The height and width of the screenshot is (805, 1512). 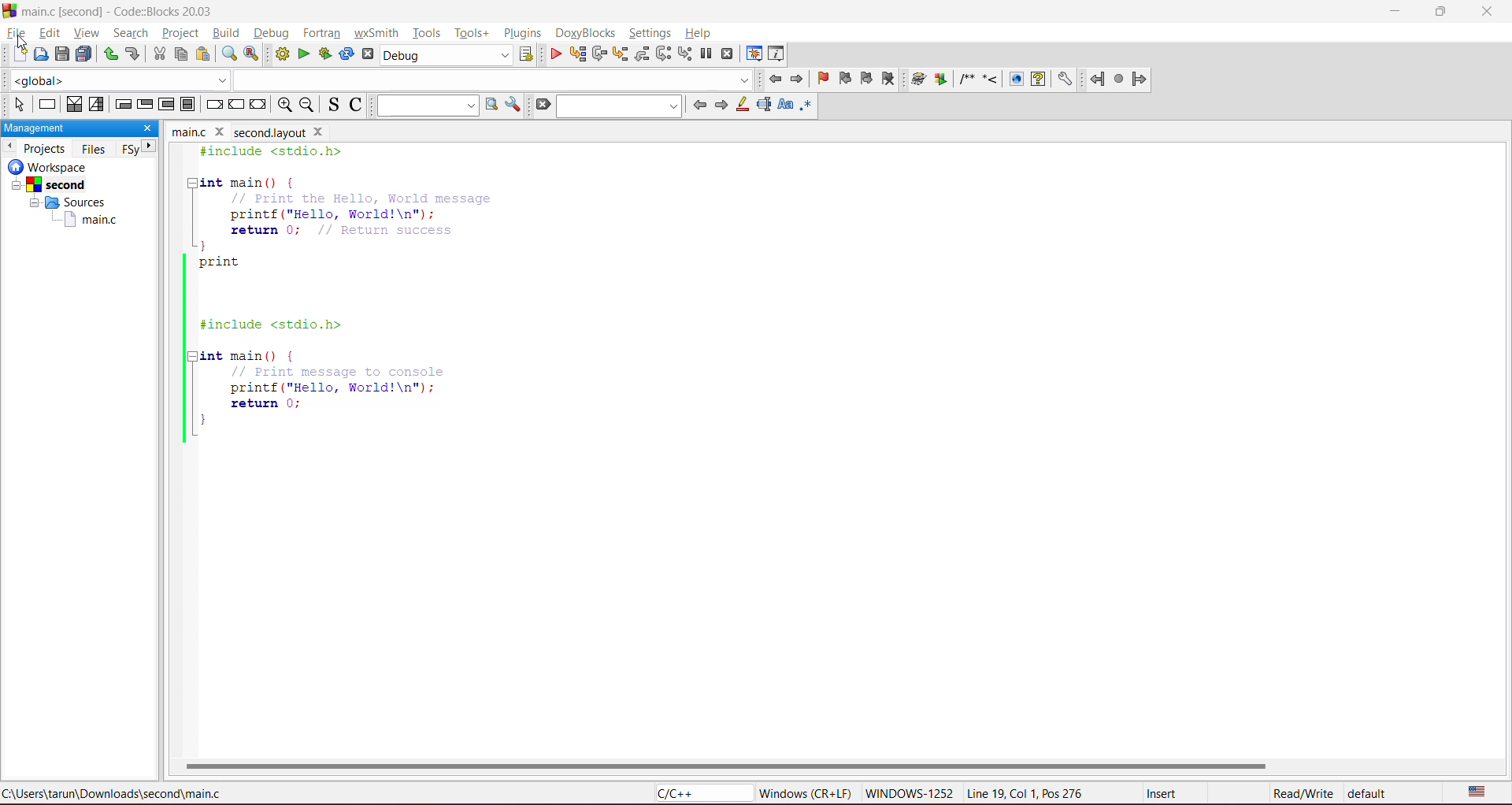 I want to click on language, so click(x=700, y=792).